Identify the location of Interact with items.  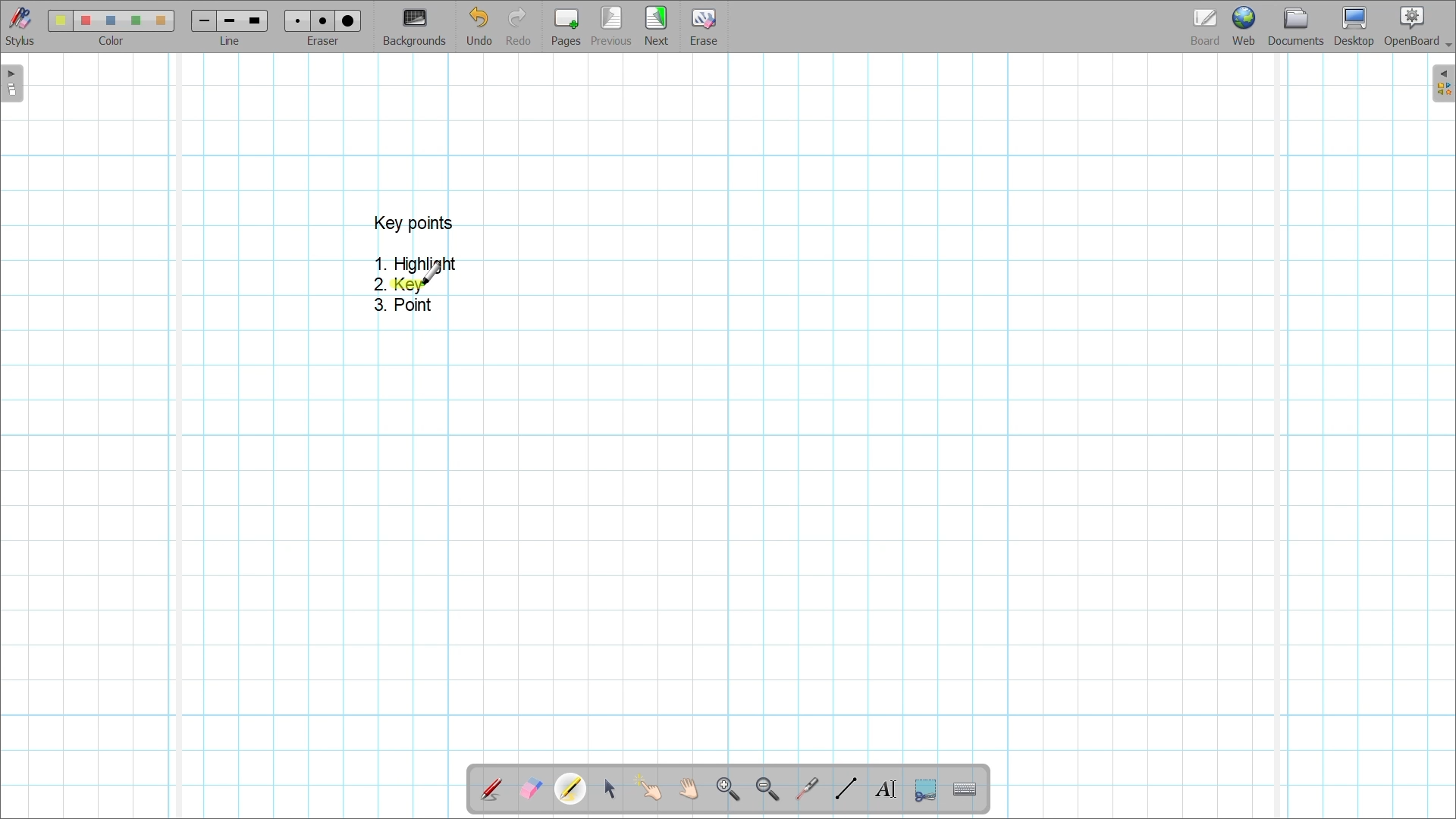
(648, 788).